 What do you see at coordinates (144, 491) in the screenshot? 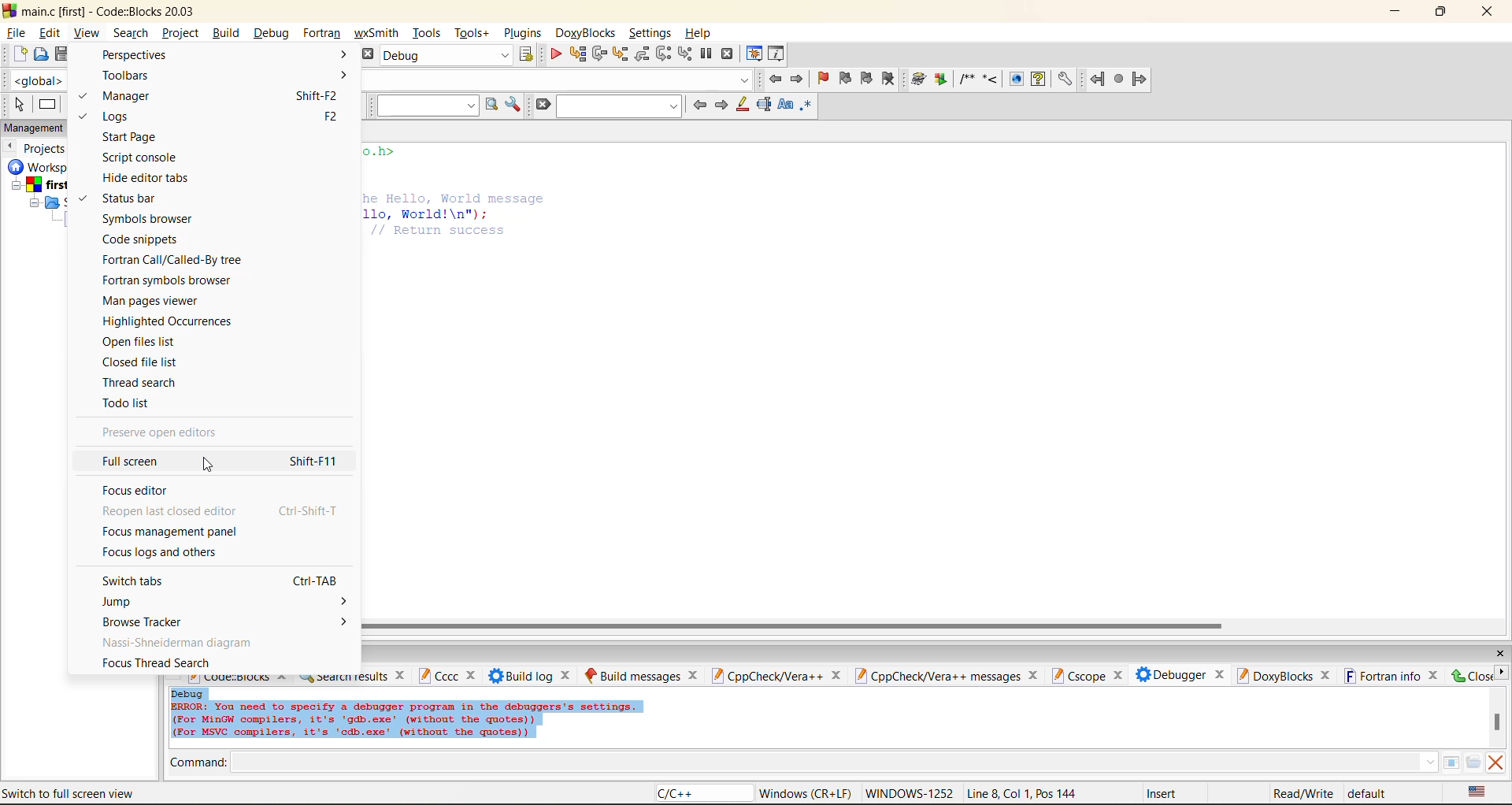
I see `focus editor` at bounding box center [144, 491].